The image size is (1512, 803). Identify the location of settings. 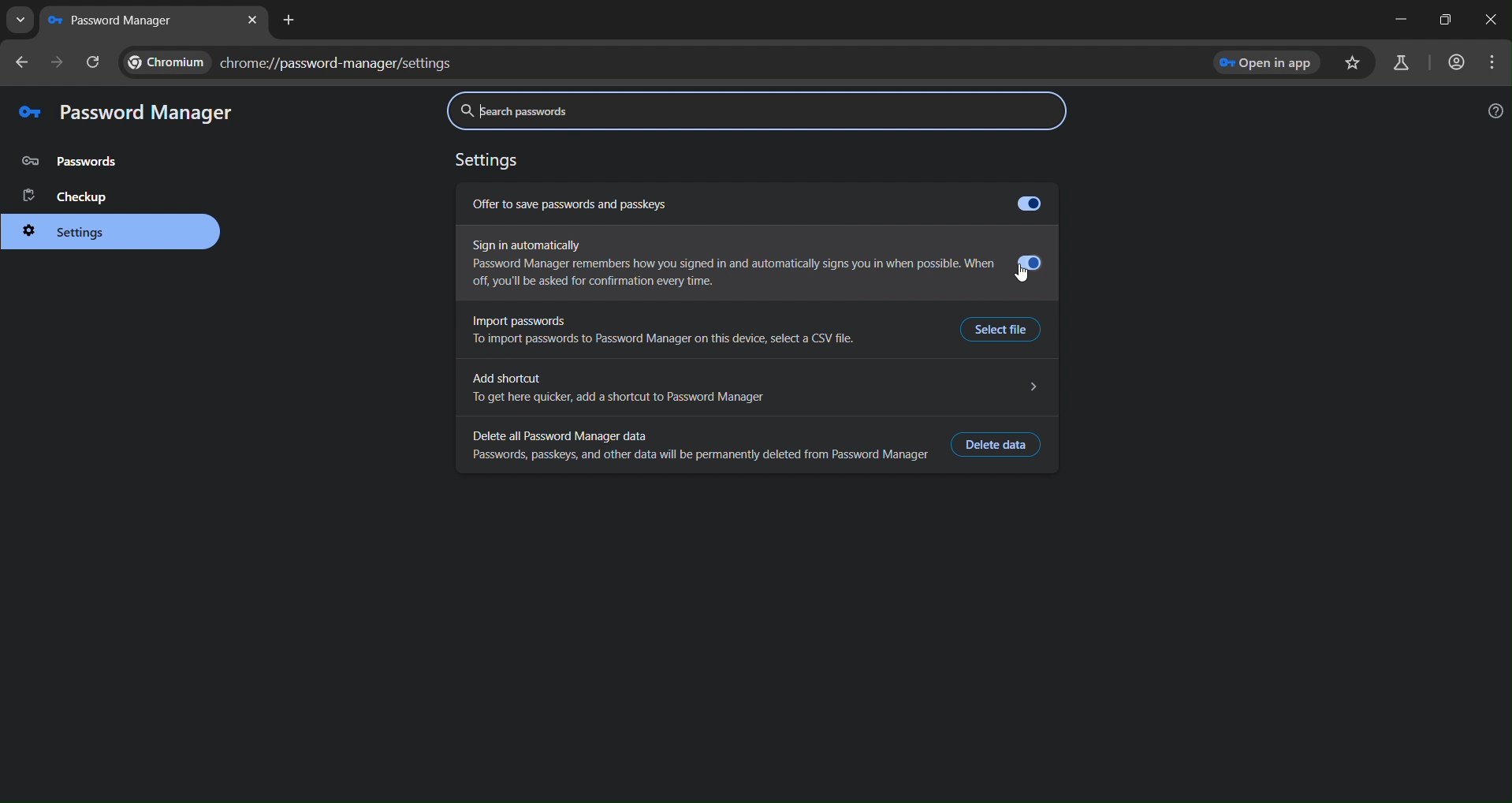
(492, 162).